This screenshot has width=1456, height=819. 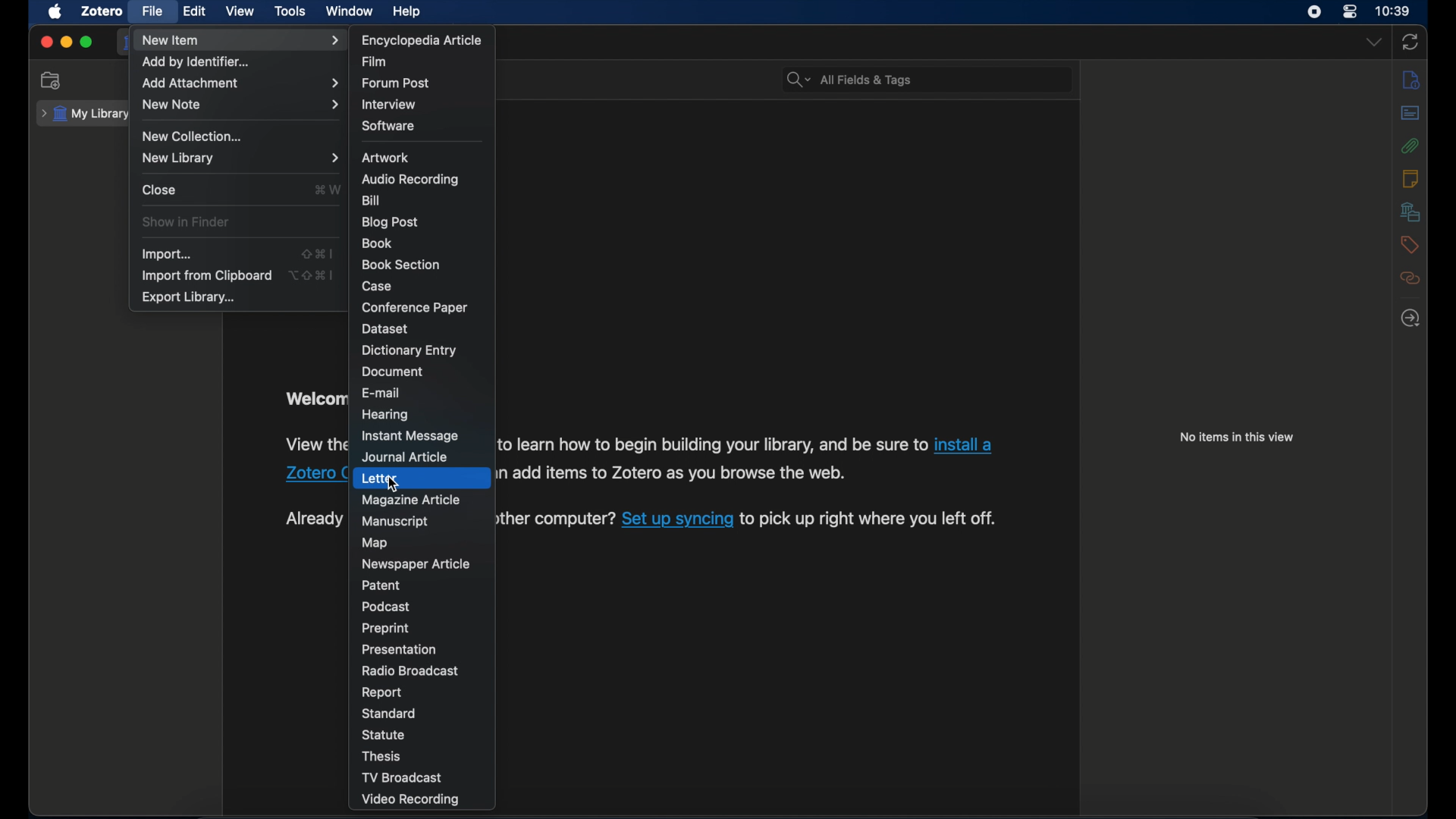 What do you see at coordinates (199, 62) in the screenshot?
I see `add by identifier` at bounding box center [199, 62].